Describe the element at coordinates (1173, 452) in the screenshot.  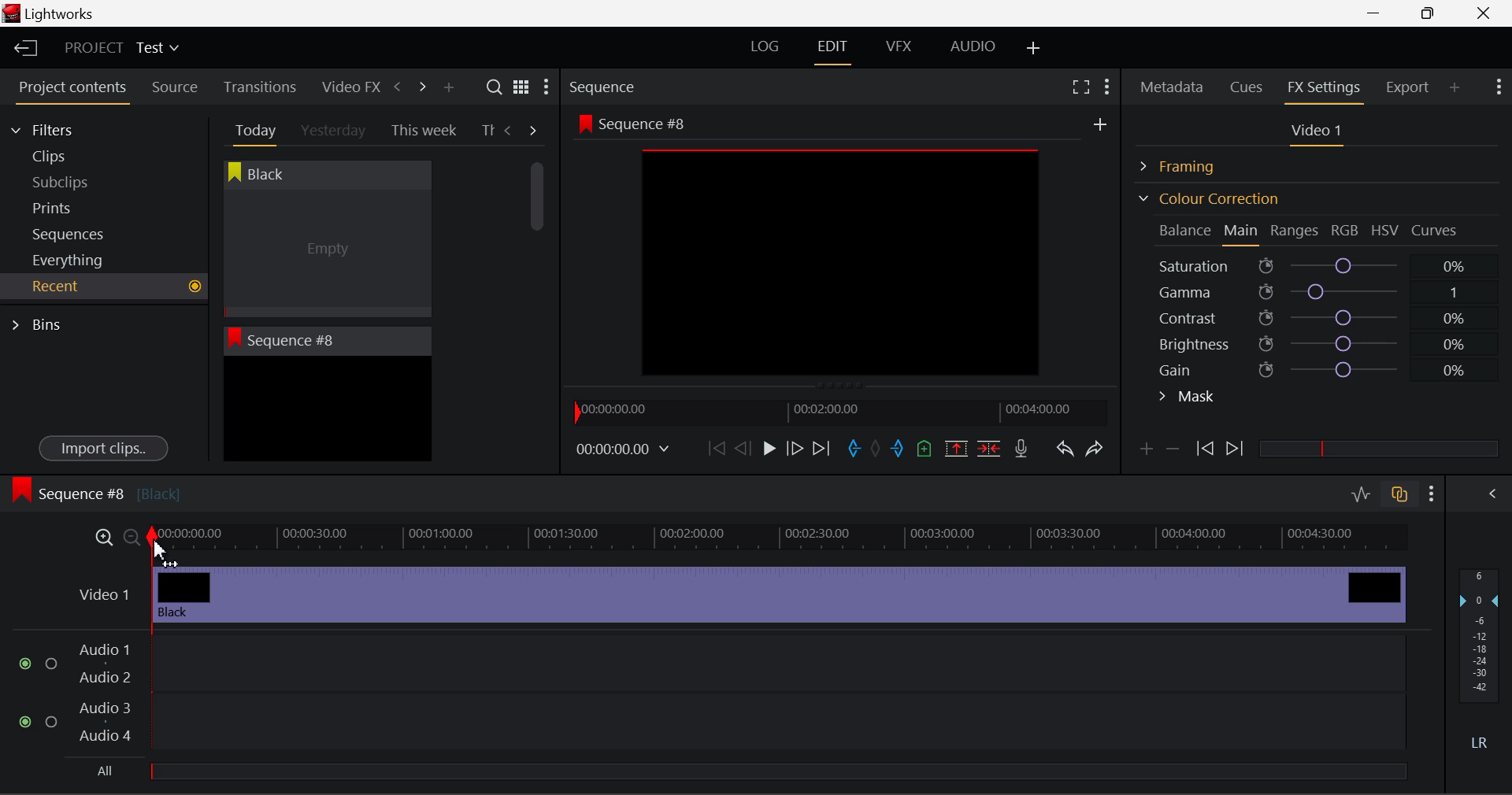
I see `Delete keyframe` at that location.